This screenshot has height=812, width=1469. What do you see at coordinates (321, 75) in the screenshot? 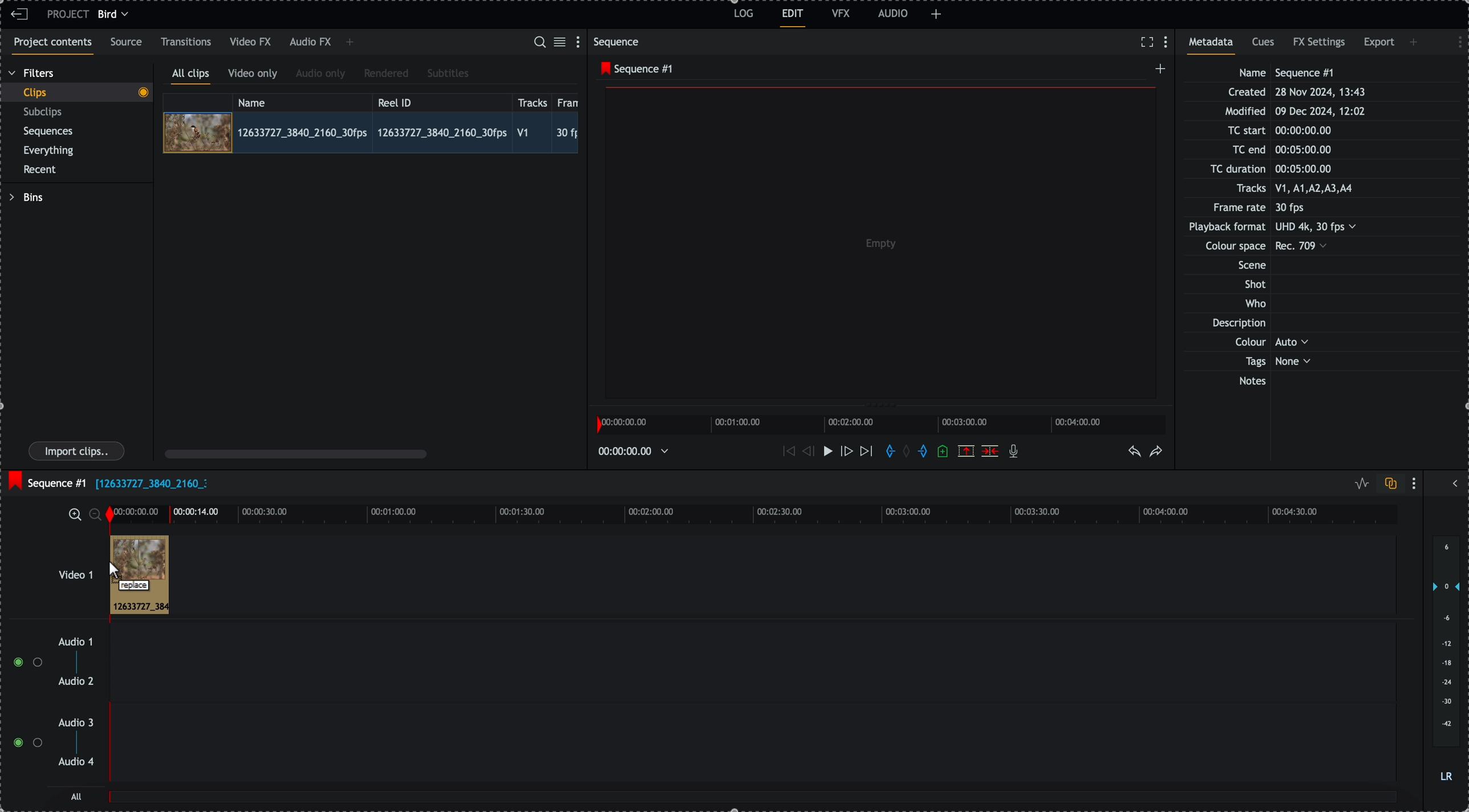
I see `audio only` at bounding box center [321, 75].